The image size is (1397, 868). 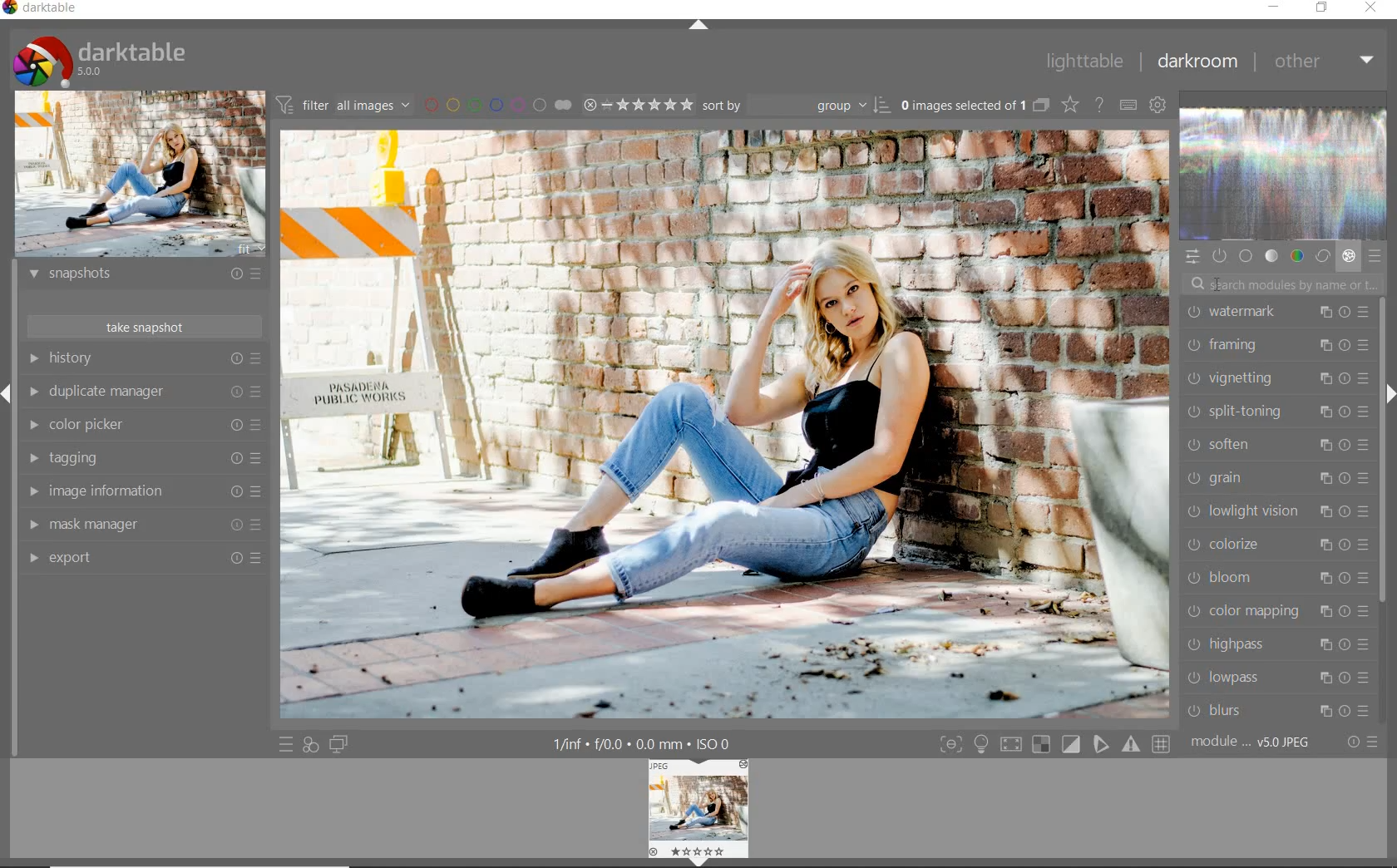 I want to click on cursor, so click(x=1219, y=284).